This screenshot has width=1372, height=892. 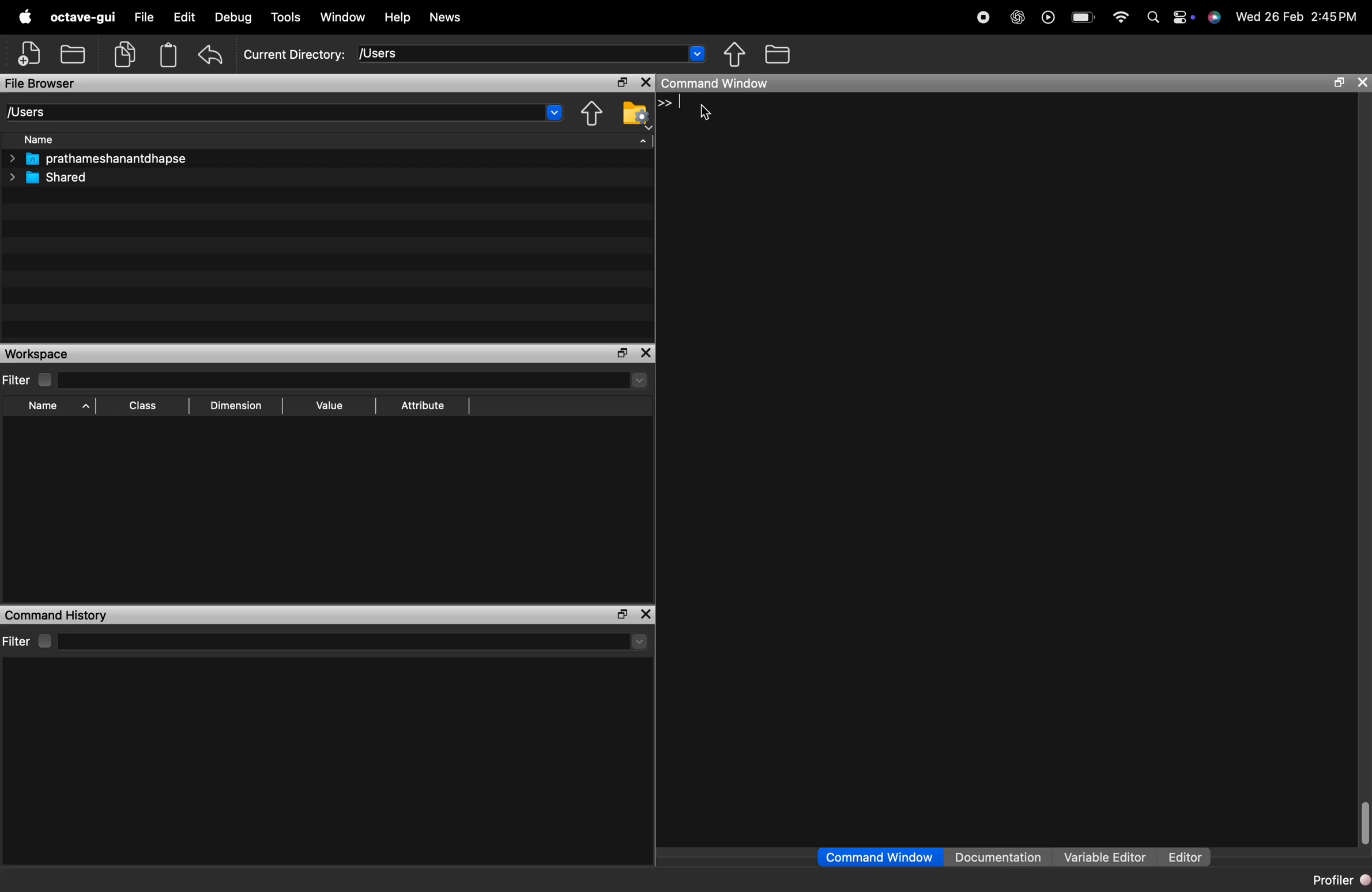 I want to click on add, so click(x=24, y=55).